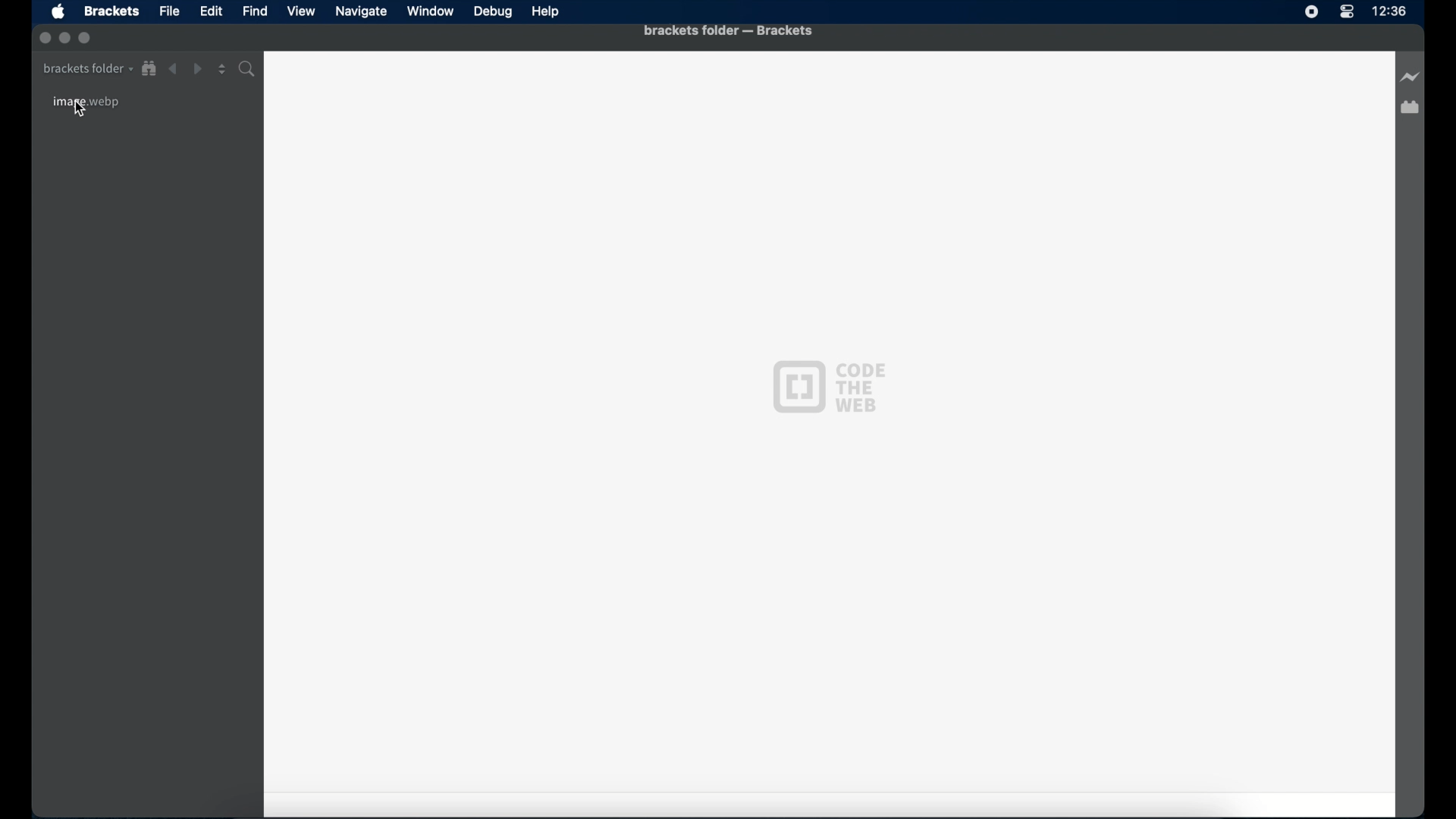 The width and height of the screenshot is (1456, 819). What do you see at coordinates (197, 69) in the screenshot?
I see `forward` at bounding box center [197, 69].